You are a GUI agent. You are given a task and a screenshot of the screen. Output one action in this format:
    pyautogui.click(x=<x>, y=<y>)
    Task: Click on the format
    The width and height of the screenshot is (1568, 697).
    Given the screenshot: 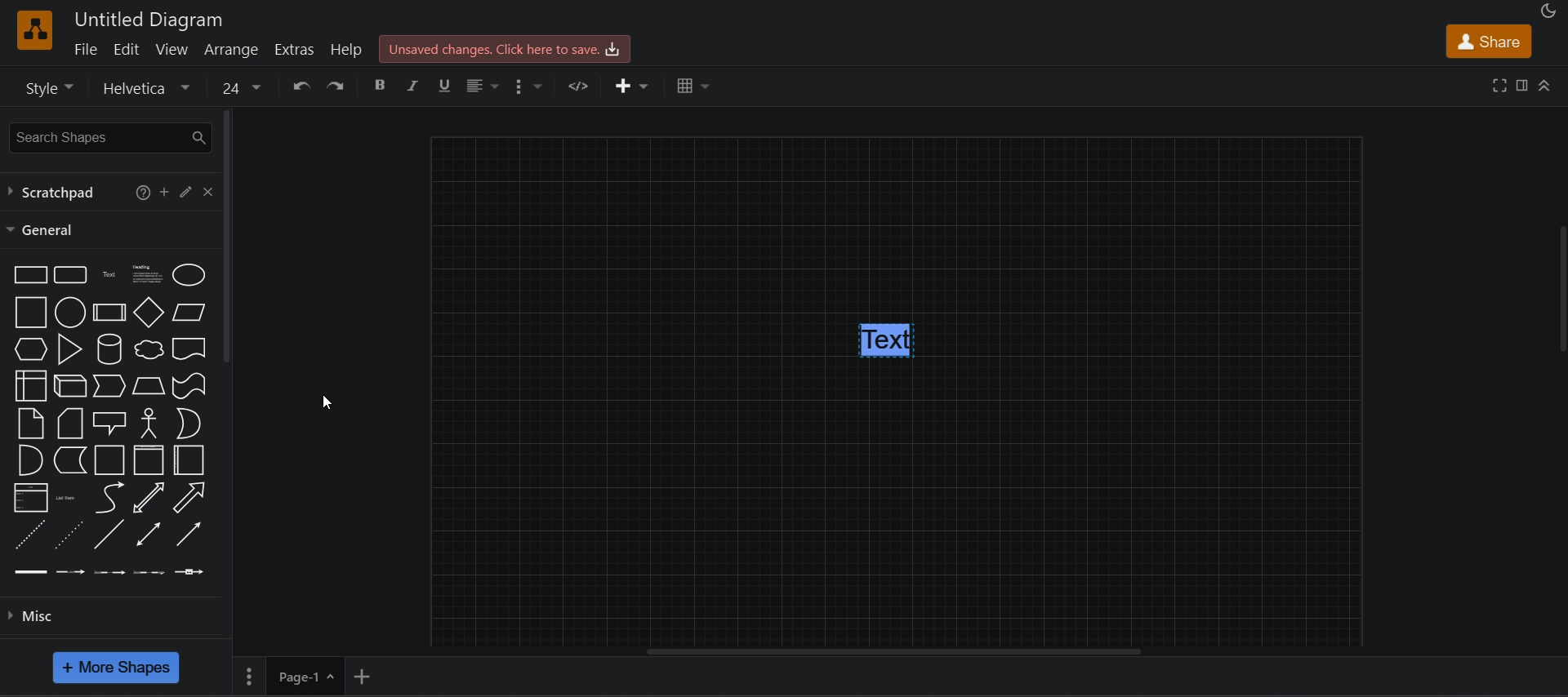 What is the action you would take?
    pyautogui.click(x=534, y=87)
    